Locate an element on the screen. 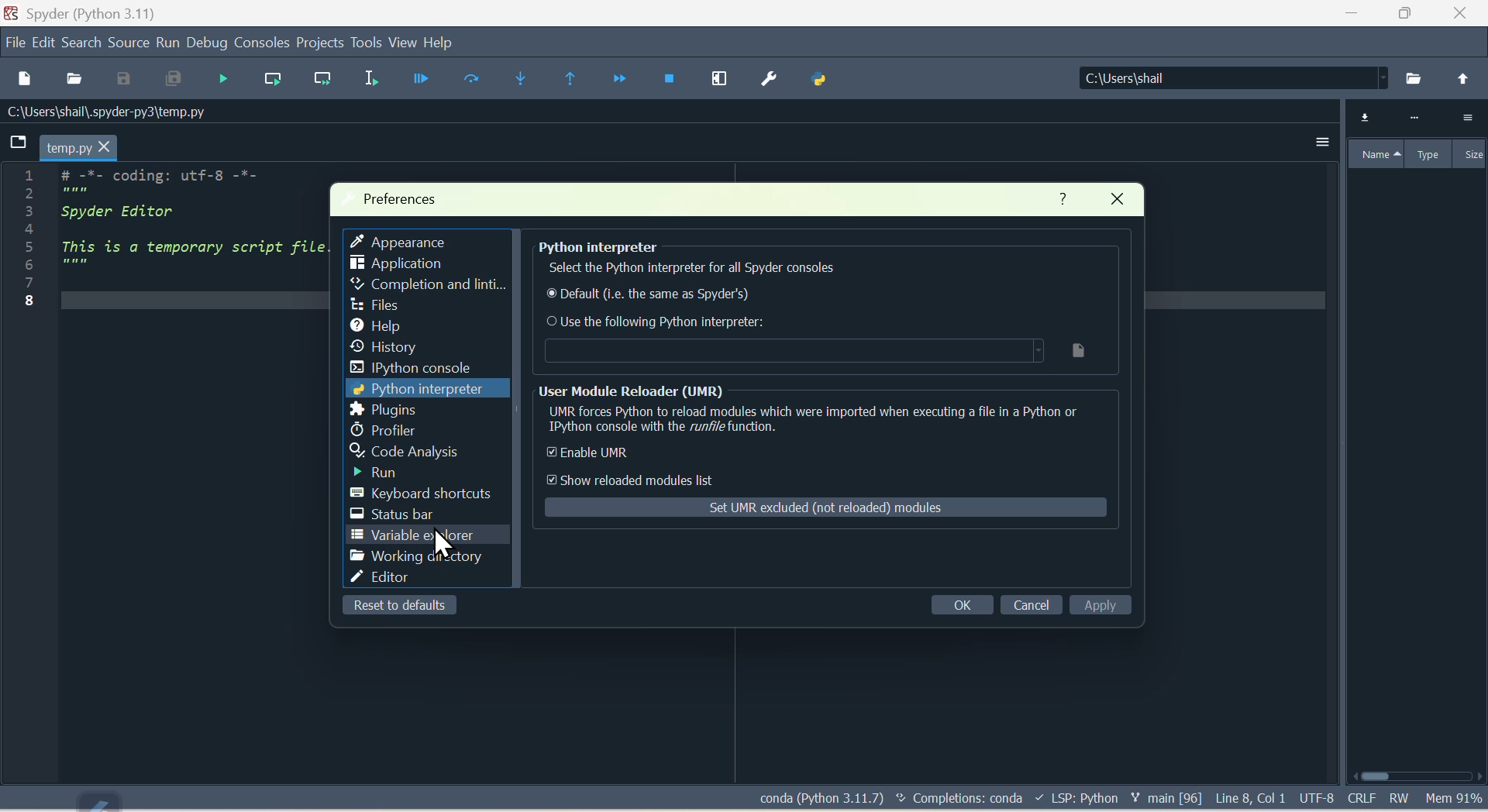  Debug is located at coordinates (205, 43).